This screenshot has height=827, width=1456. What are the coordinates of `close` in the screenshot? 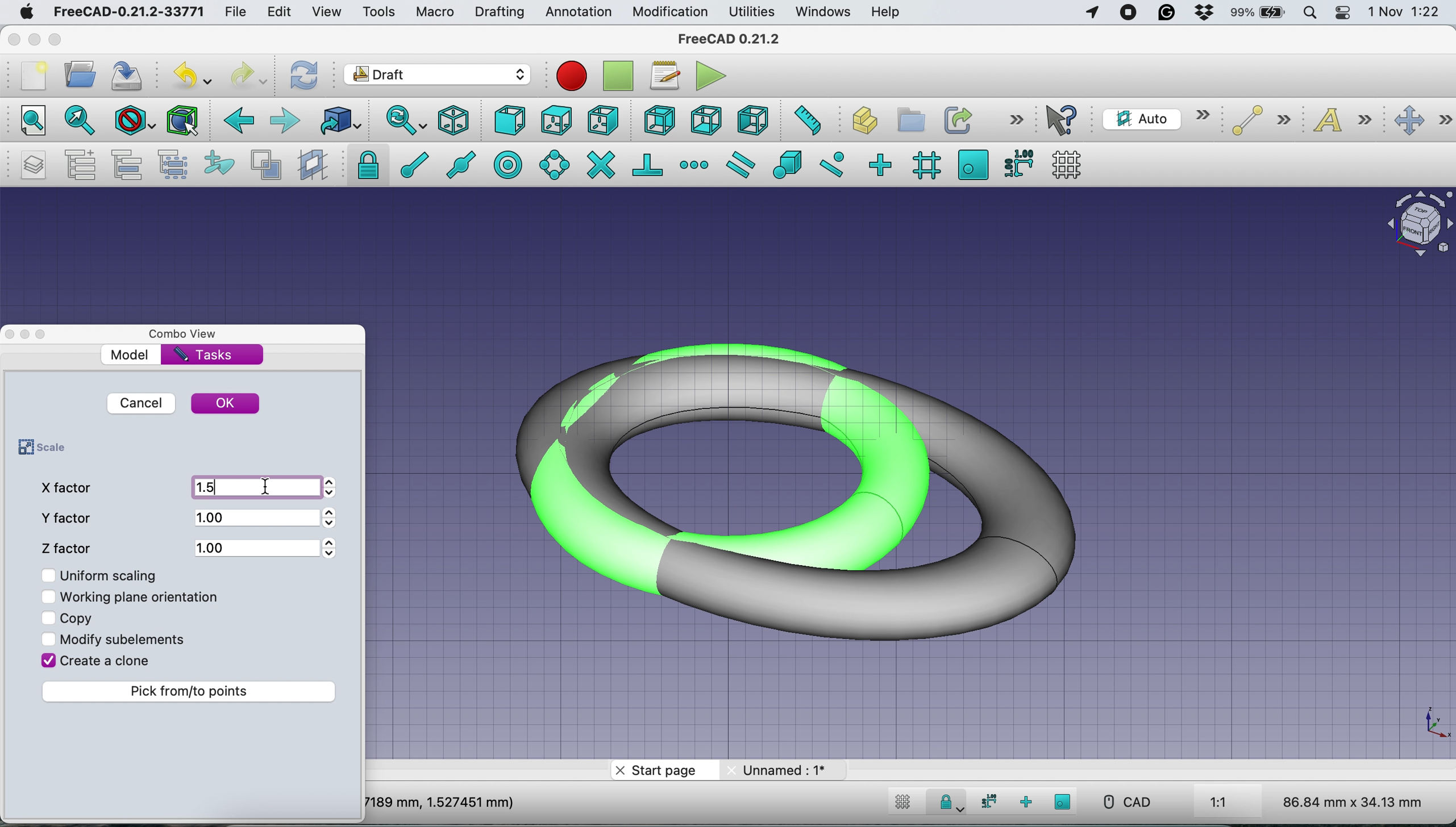 It's located at (12, 39).